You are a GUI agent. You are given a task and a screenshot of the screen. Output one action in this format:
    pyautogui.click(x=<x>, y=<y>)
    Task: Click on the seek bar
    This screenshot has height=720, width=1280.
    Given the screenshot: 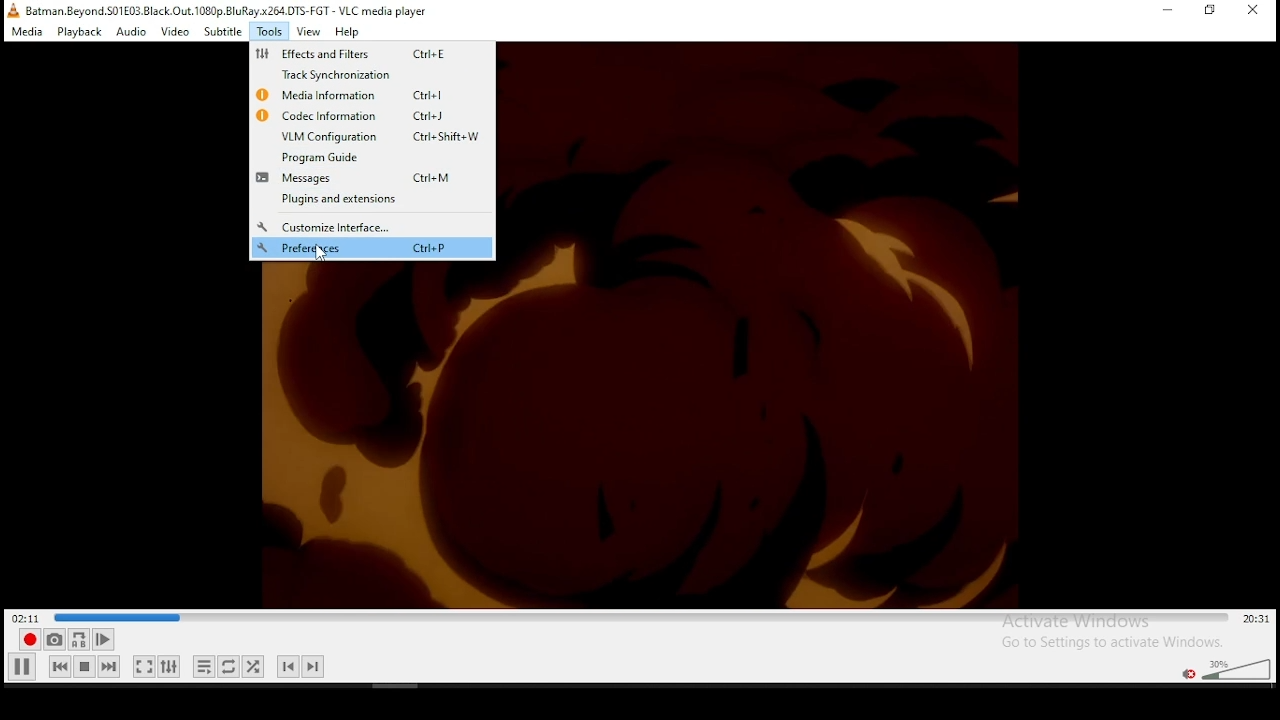 What is the action you would take?
    pyautogui.click(x=643, y=618)
    